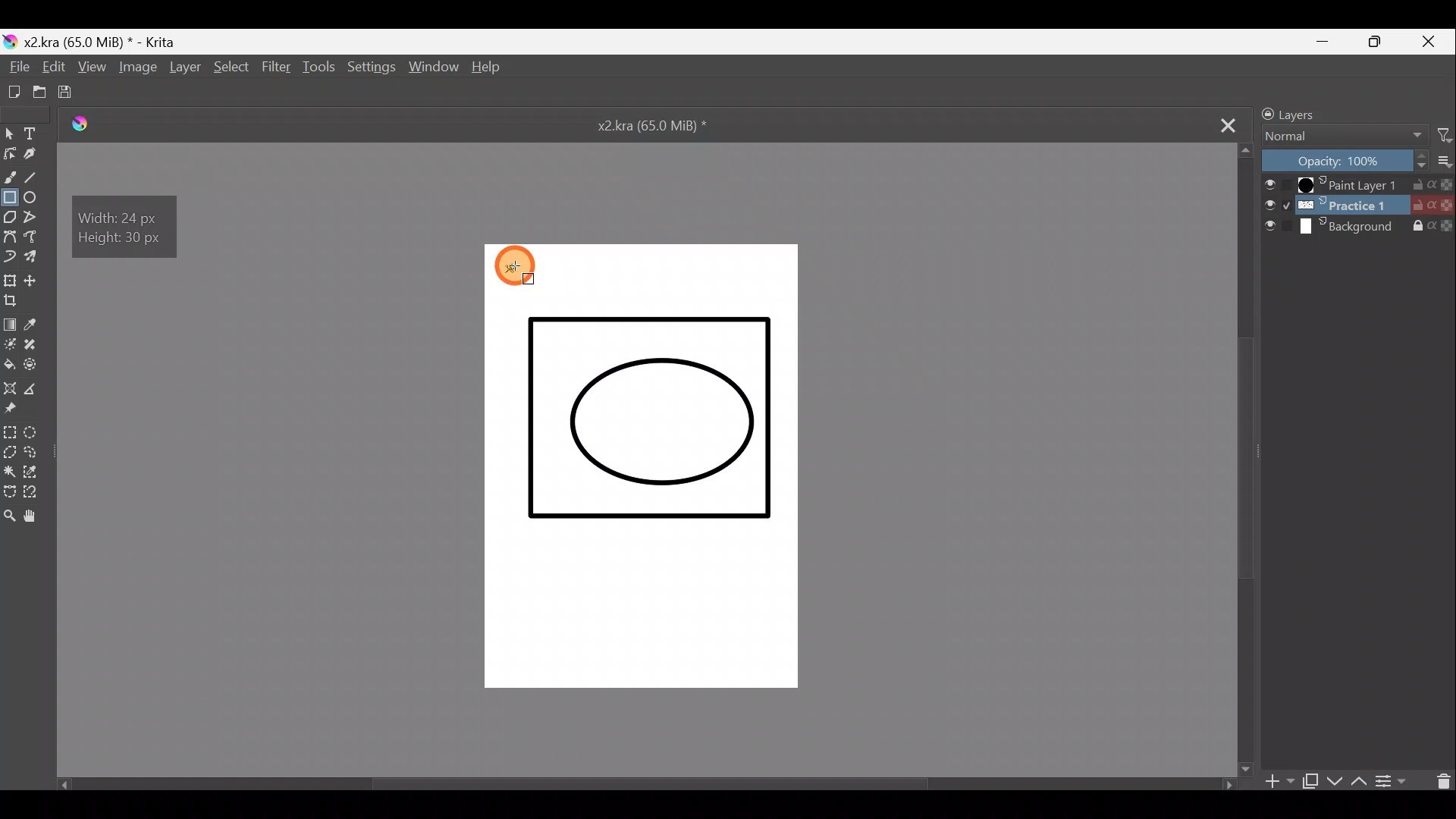 The image size is (1456, 819). Describe the element at coordinates (10, 473) in the screenshot. I see `Contiguous selection tool` at that location.